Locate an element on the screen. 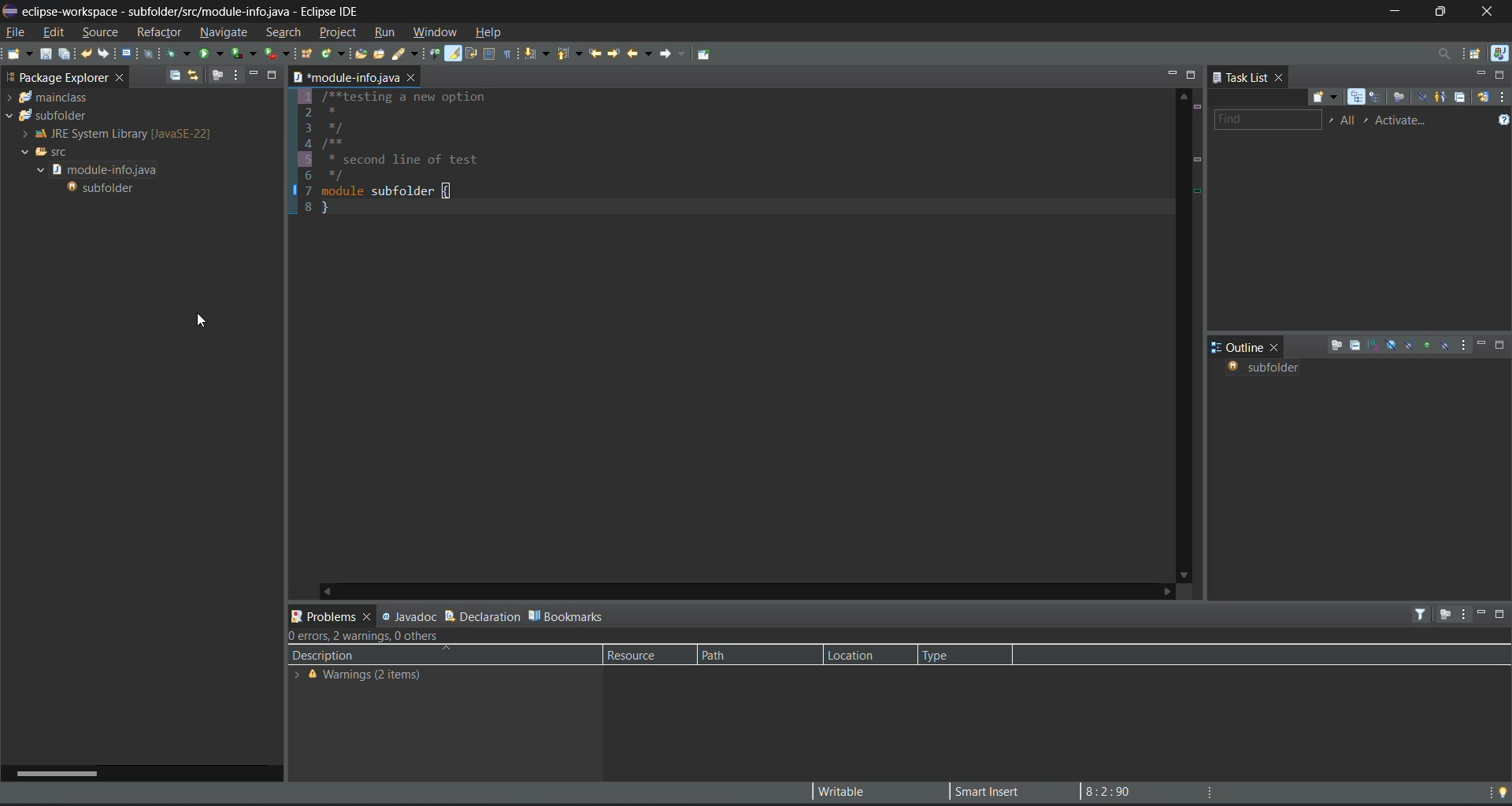 The image size is (1512, 806). task list is located at coordinates (1241, 78).